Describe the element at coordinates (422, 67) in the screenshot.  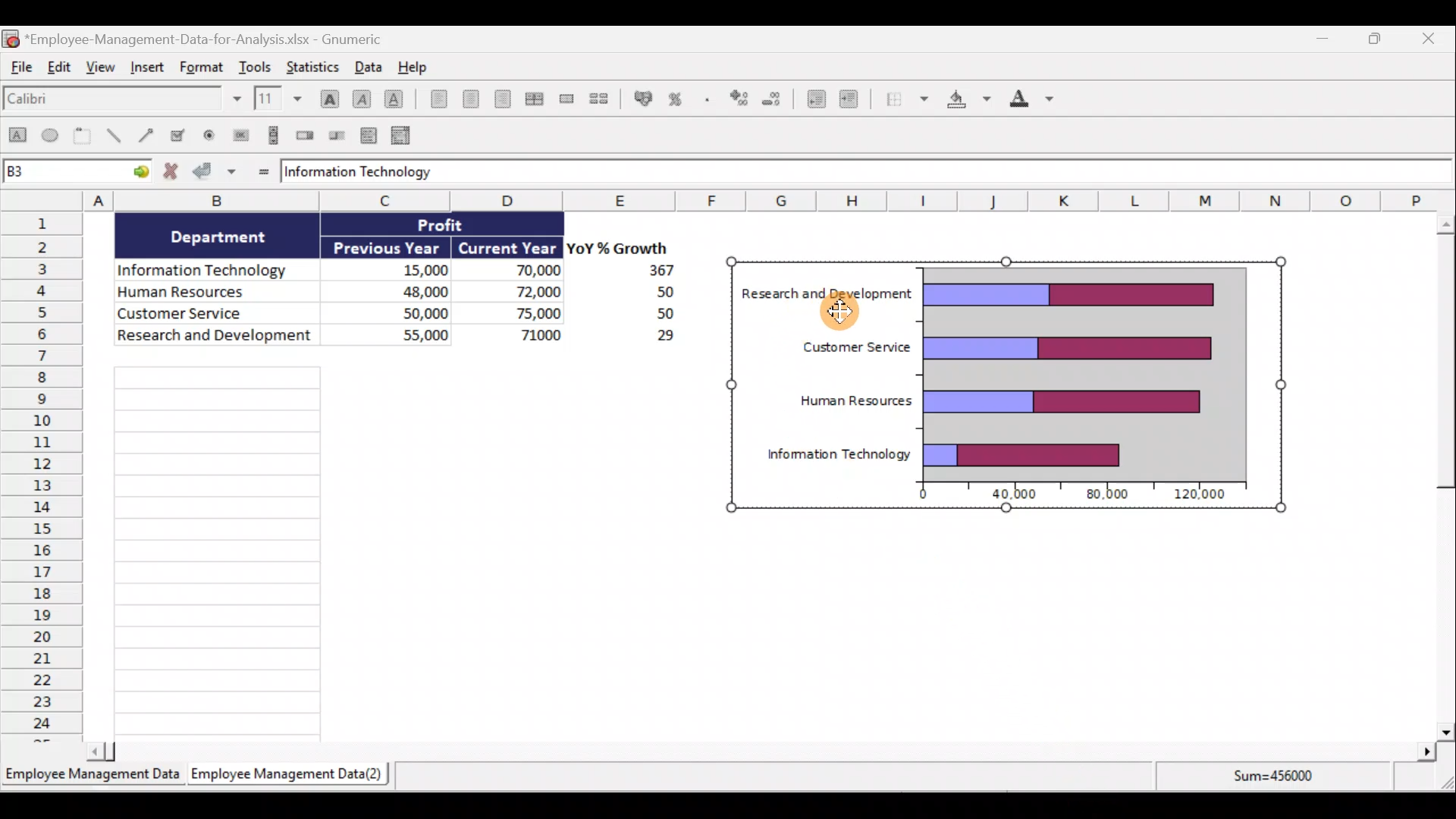
I see `Help` at that location.